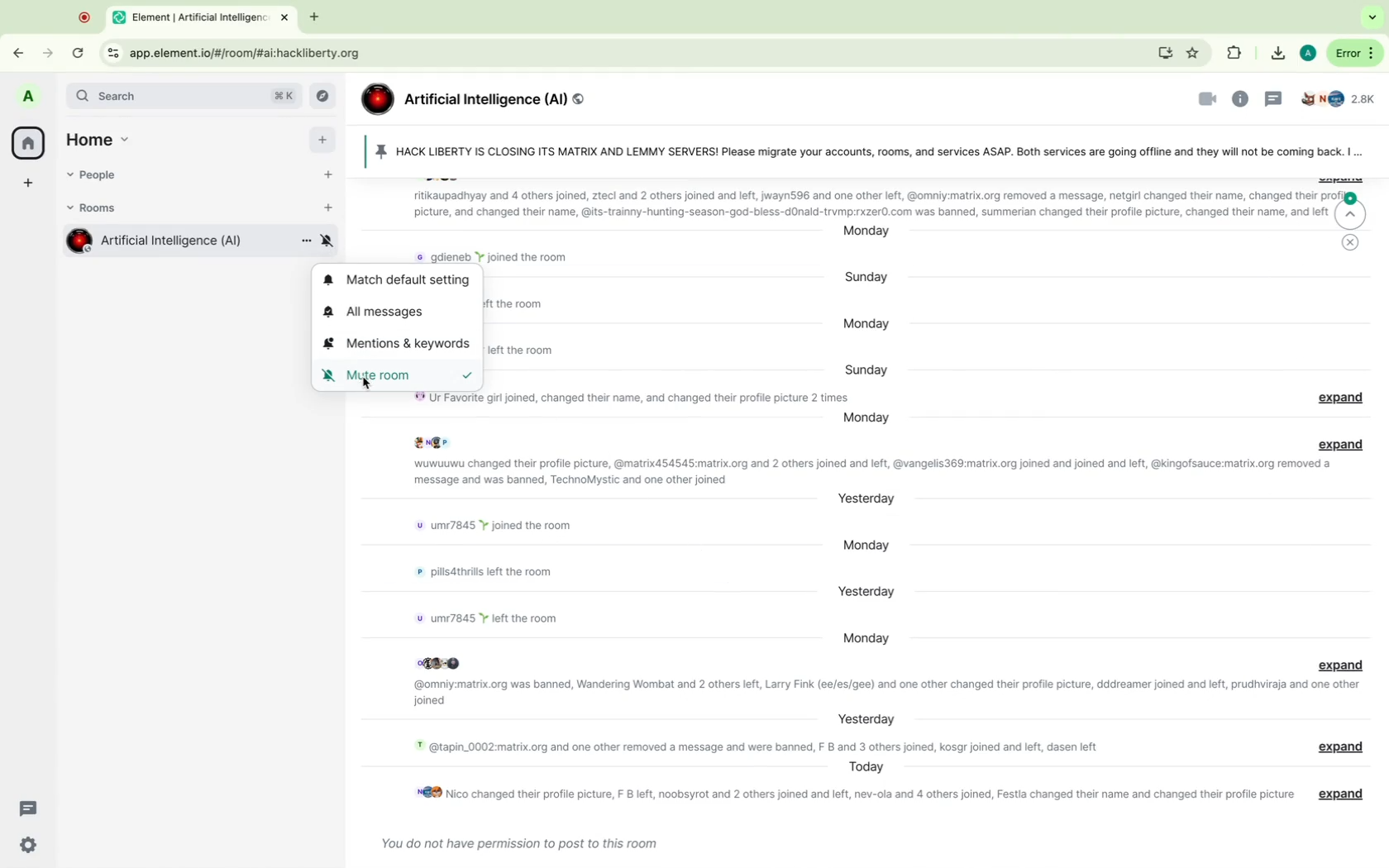 This screenshot has height=868, width=1389. I want to click on threads, so click(1275, 98).